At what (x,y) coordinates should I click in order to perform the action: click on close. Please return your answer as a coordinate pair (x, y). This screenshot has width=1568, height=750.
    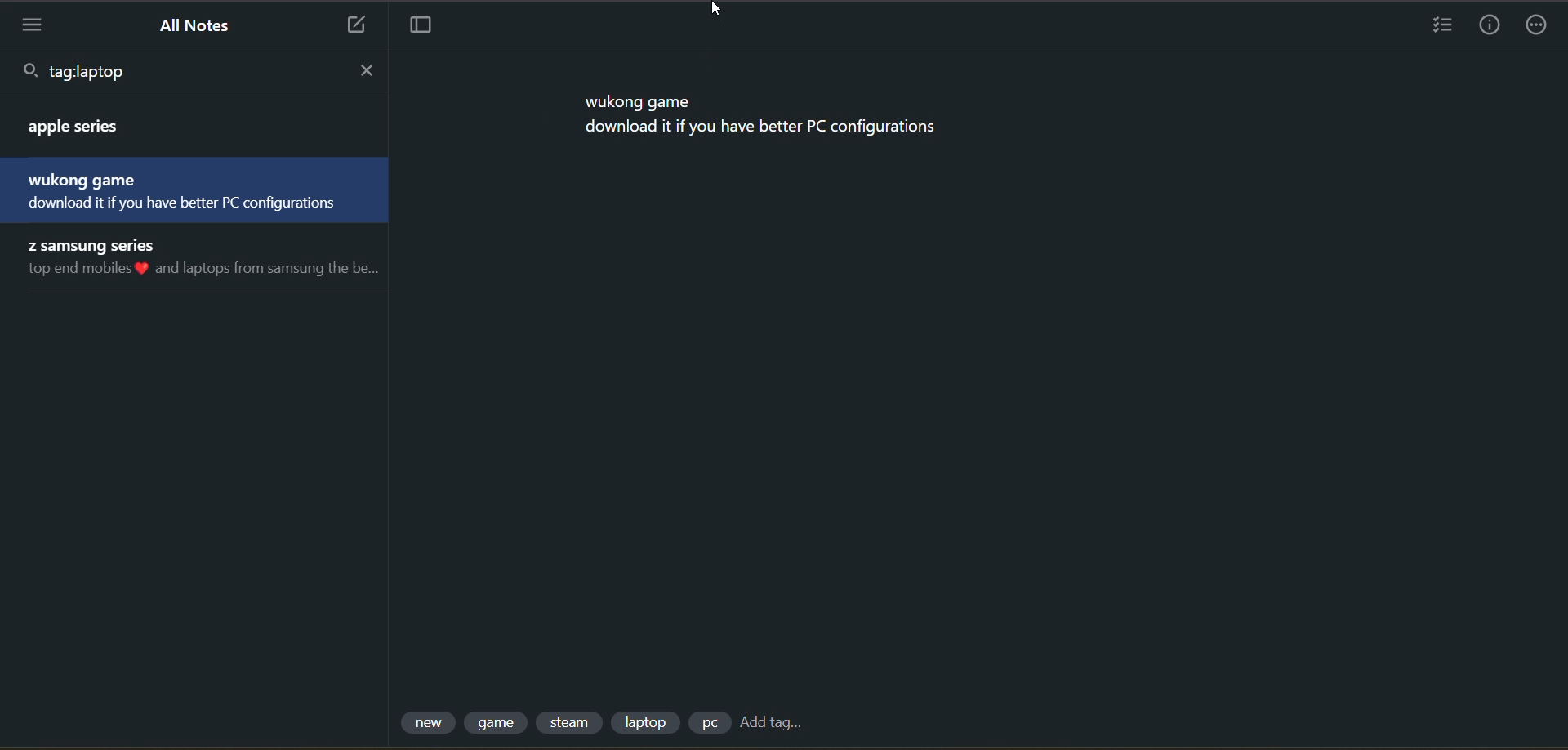
    Looking at the image, I should click on (366, 71).